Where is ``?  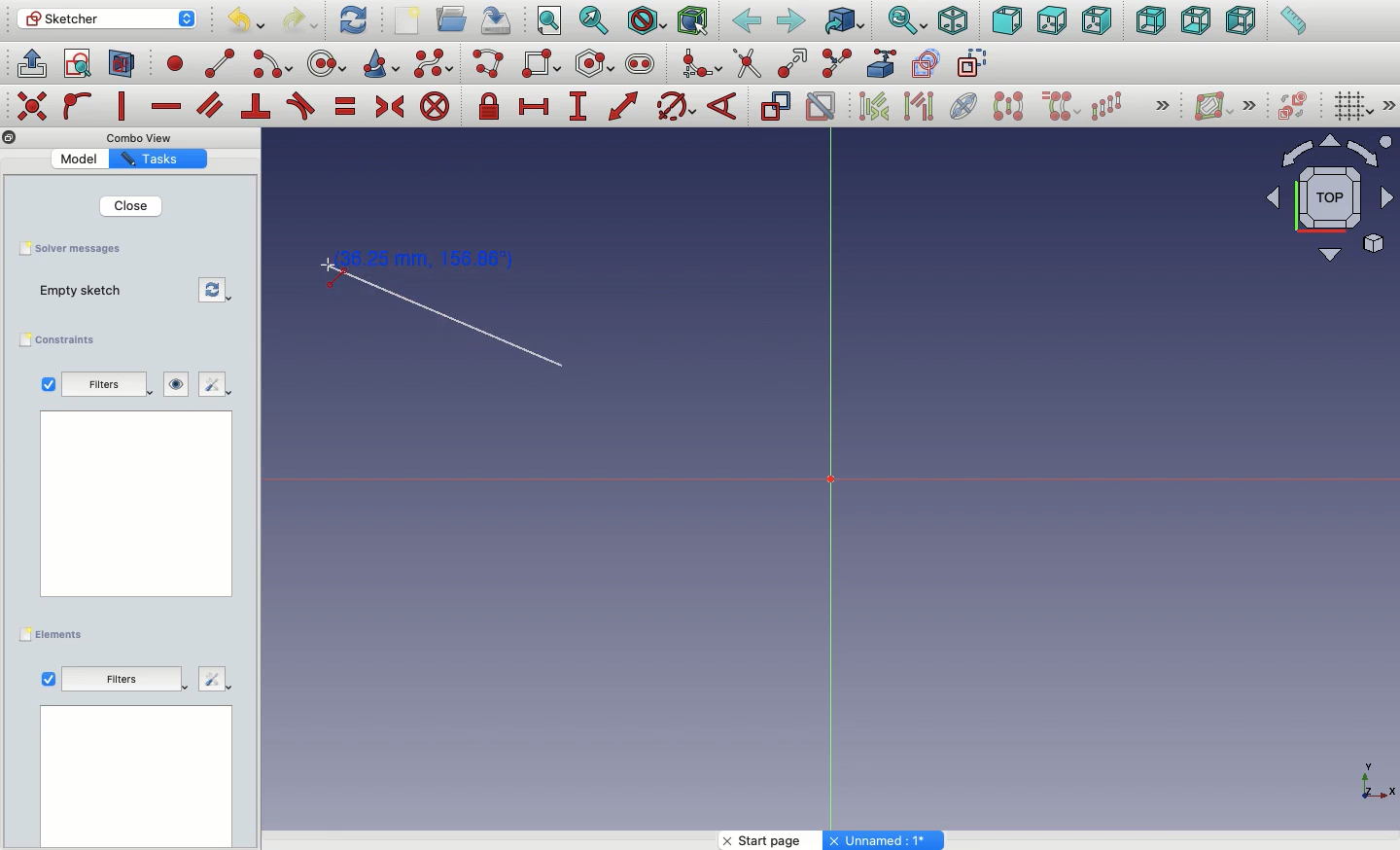  is located at coordinates (130, 512).